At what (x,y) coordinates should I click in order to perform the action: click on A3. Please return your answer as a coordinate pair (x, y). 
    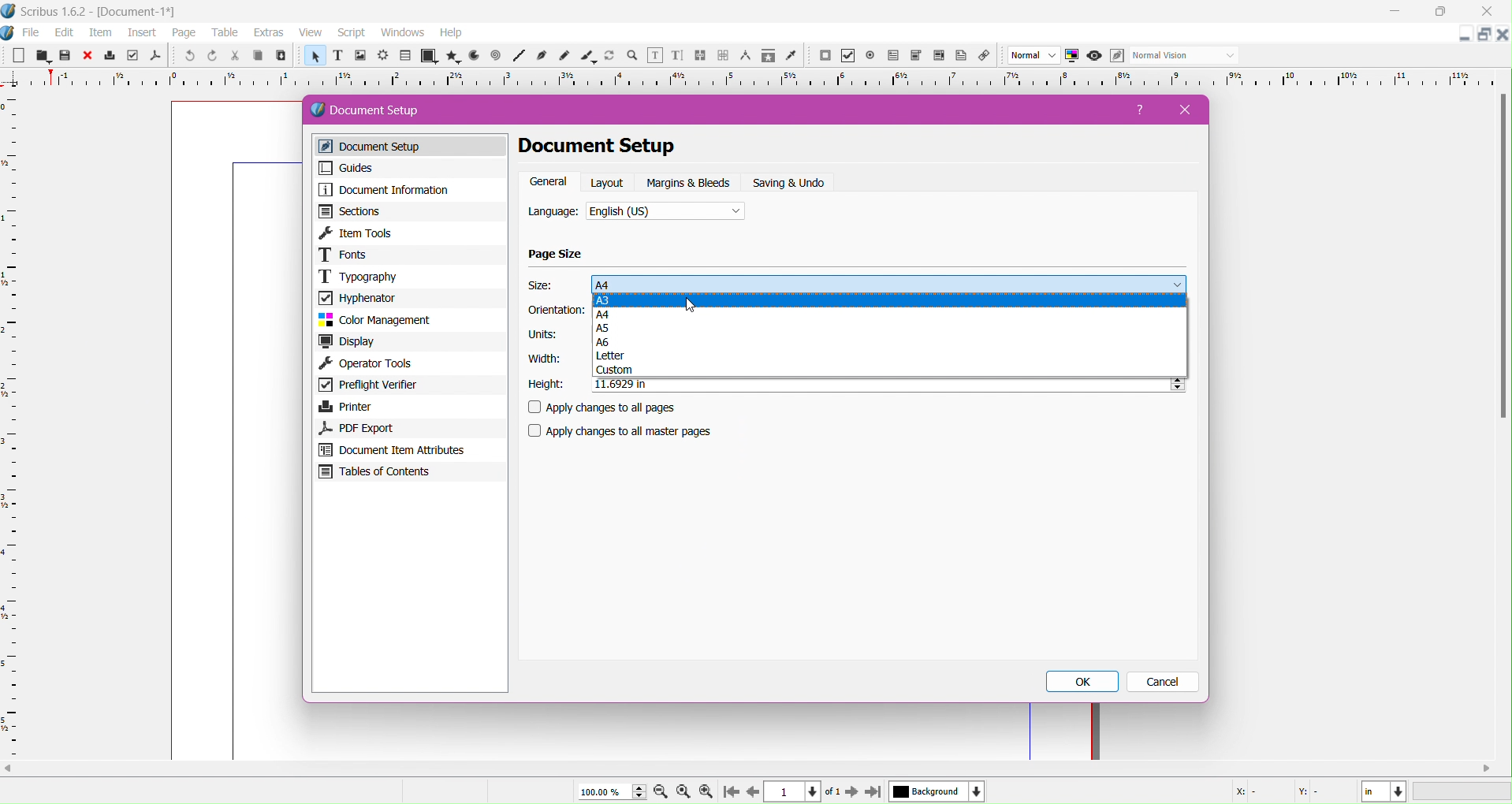
    Looking at the image, I should click on (888, 301).